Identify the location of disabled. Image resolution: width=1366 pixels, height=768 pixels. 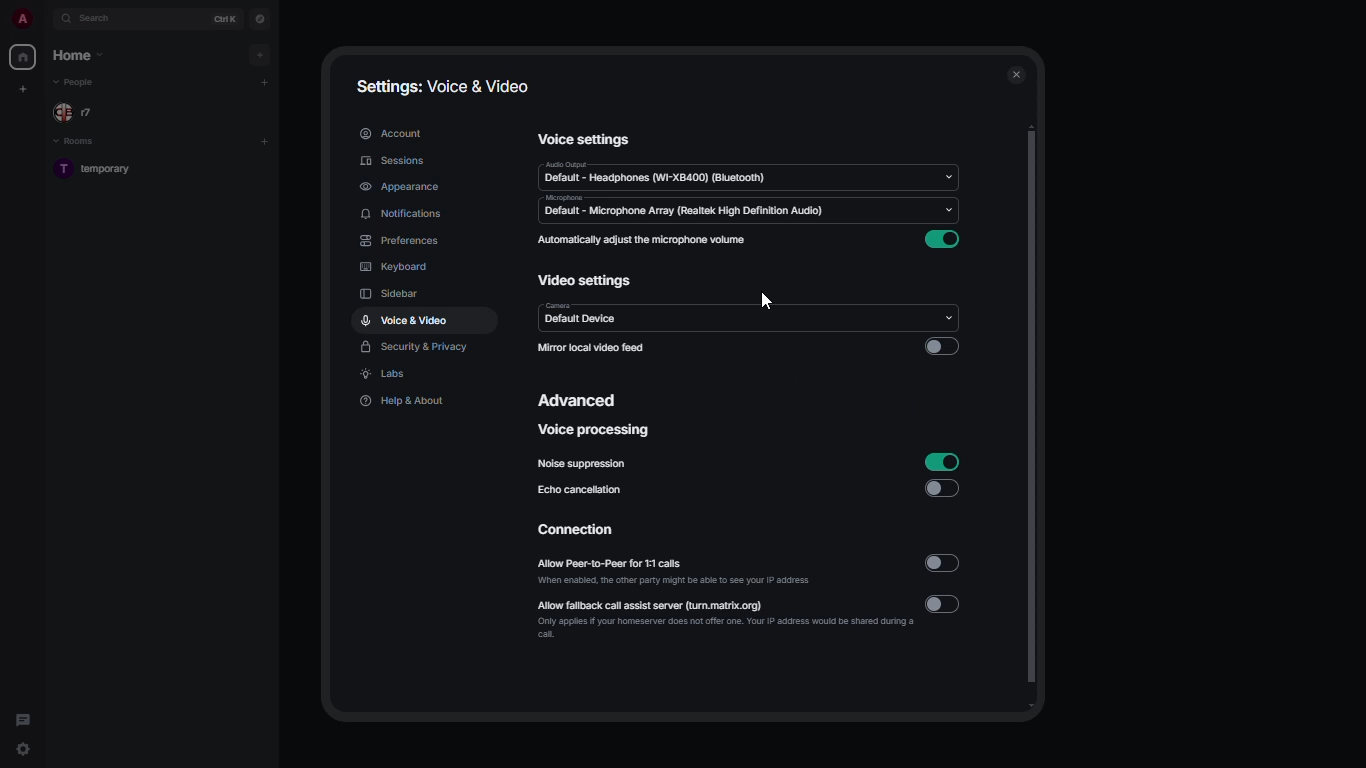
(941, 346).